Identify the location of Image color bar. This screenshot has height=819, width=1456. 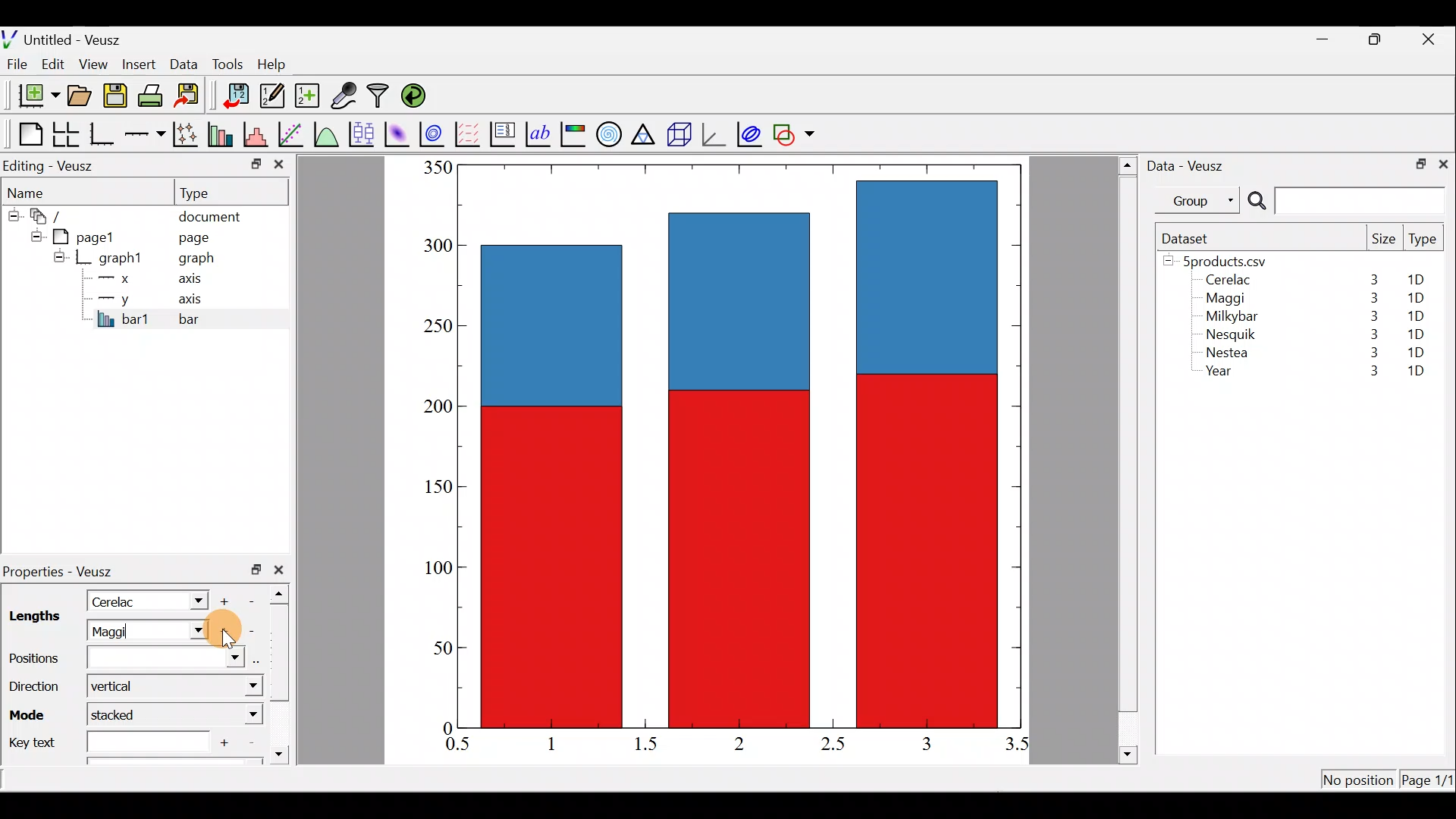
(574, 133).